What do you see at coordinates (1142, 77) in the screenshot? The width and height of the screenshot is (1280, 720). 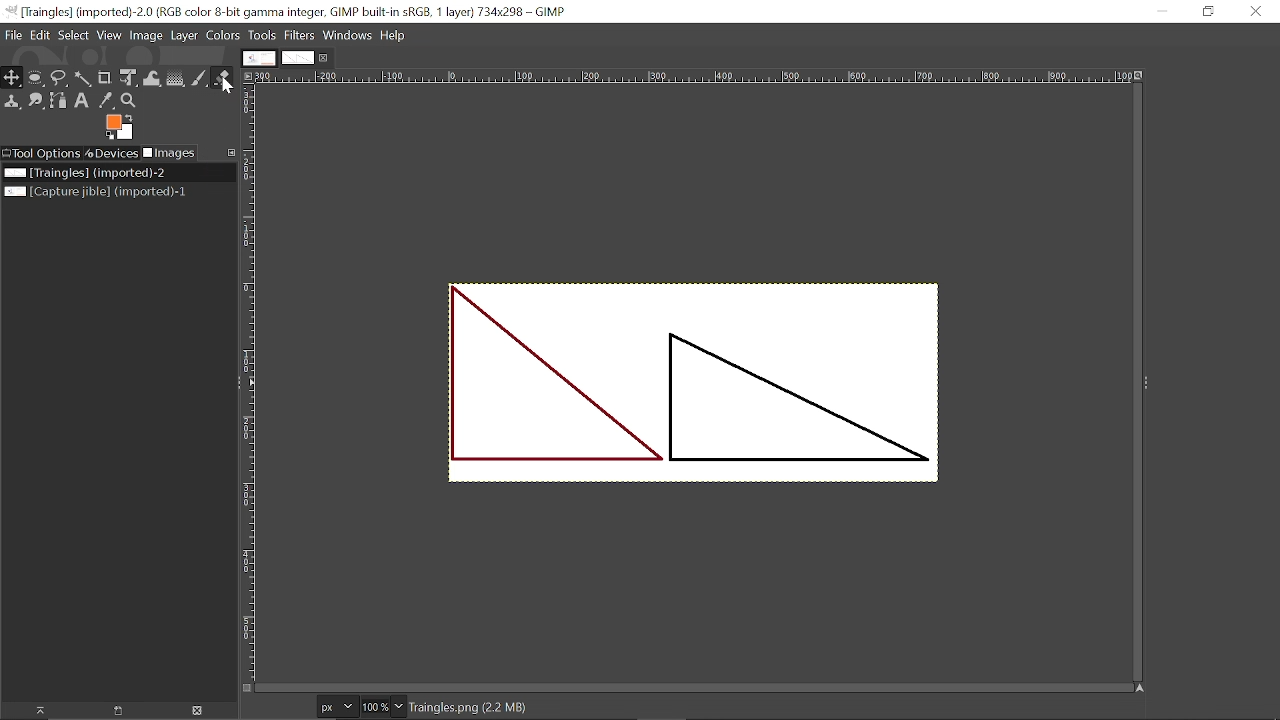 I see `Zoom when window size changes` at bounding box center [1142, 77].